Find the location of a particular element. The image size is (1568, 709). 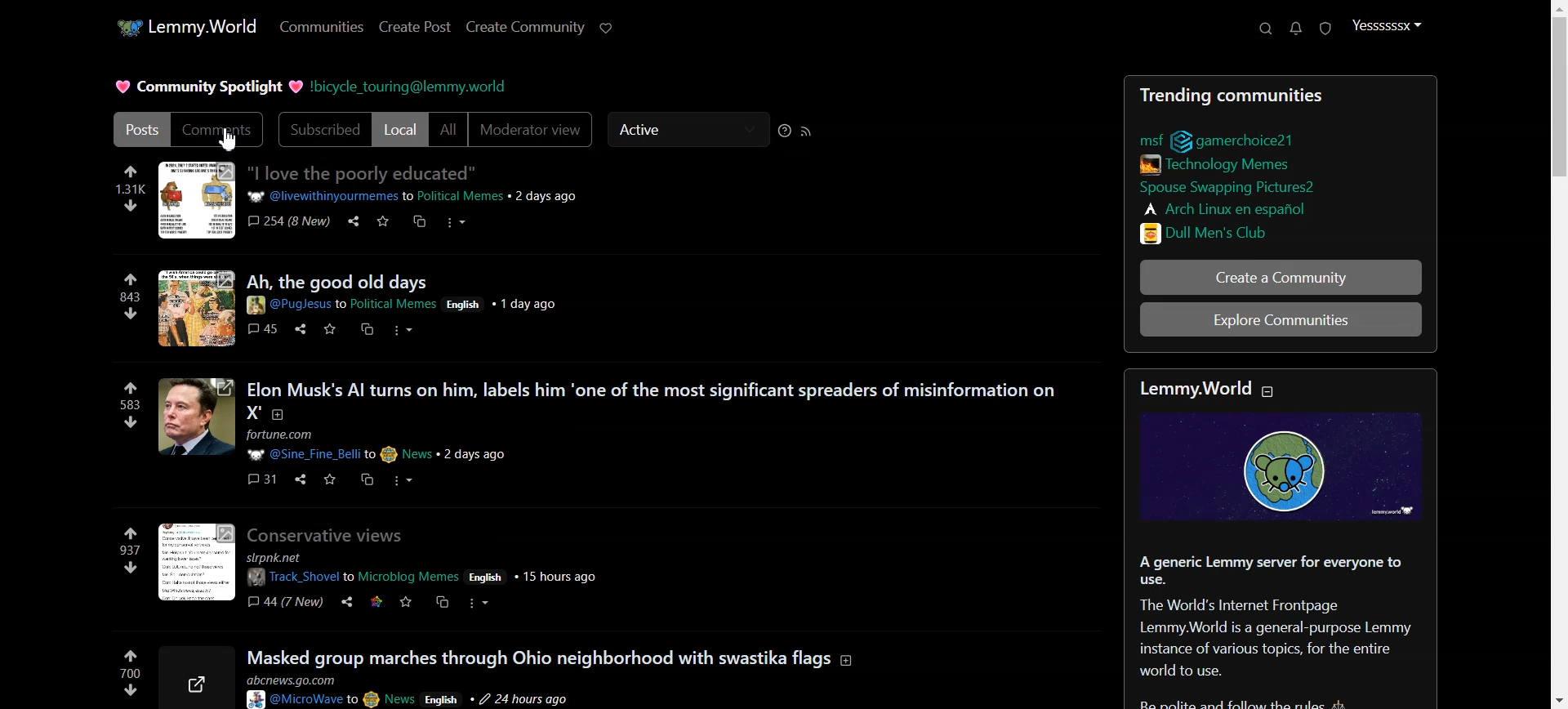

Moderator view is located at coordinates (532, 131).